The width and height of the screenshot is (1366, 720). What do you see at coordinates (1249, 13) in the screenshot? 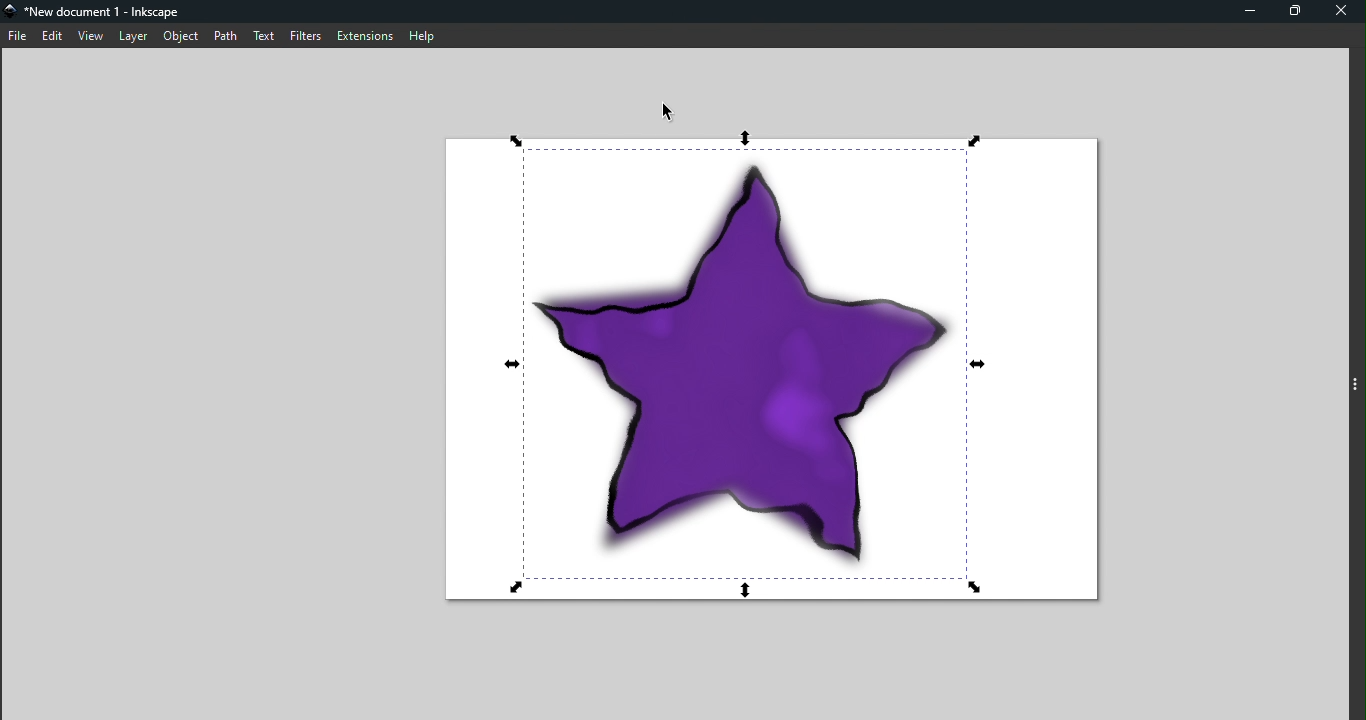
I see `Minimize` at bounding box center [1249, 13].